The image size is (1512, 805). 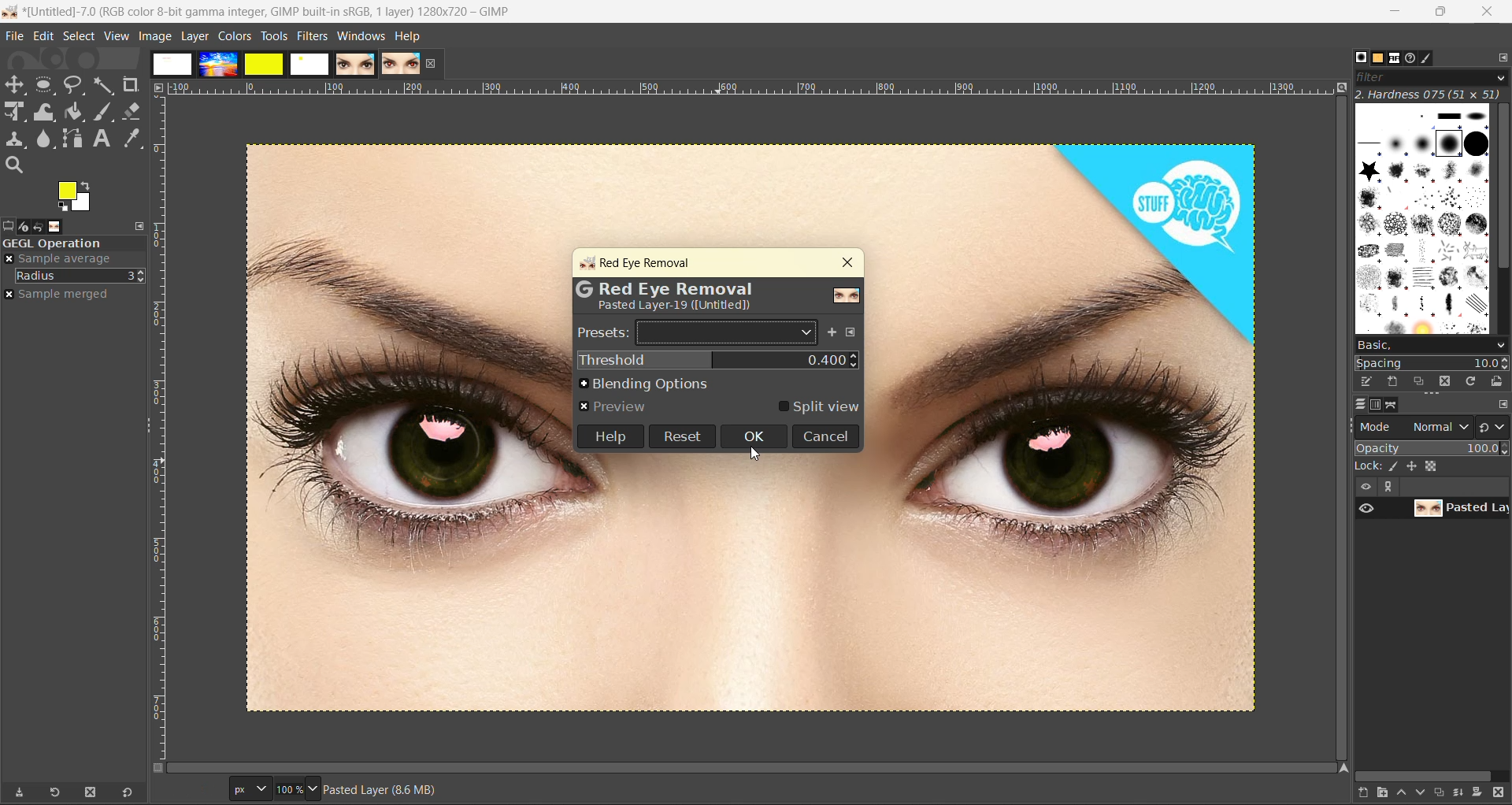 What do you see at coordinates (1413, 428) in the screenshot?
I see `mode` at bounding box center [1413, 428].